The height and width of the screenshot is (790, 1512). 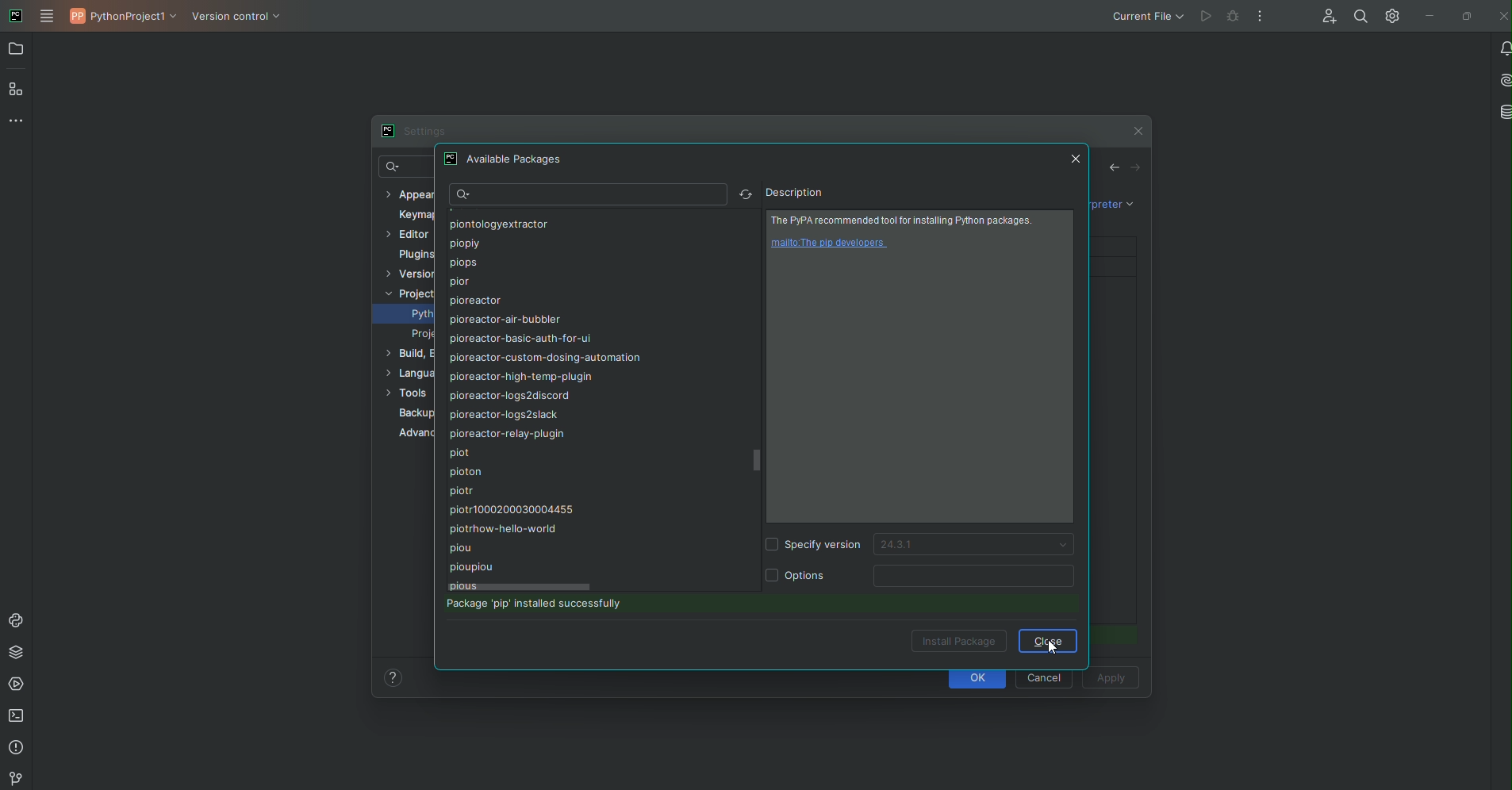 What do you see at coordinates (409, 393) in the screenshot?
I see `Tools` at bounding box center [409, 393].